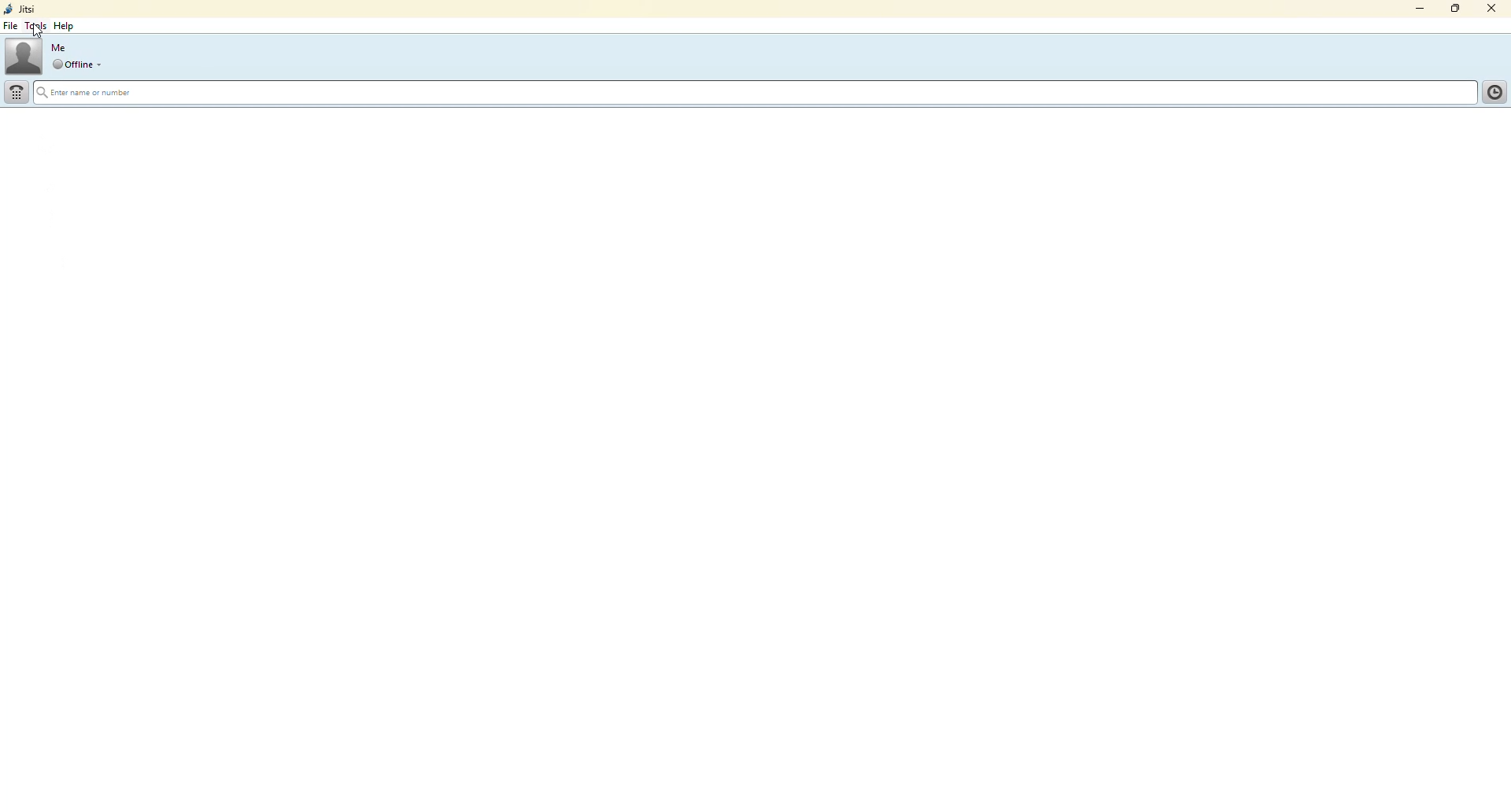 This screenshot has width=1511, height=812. Describe the element at coordinates (104, 64) in the screenshot. I see `offline` at that location.